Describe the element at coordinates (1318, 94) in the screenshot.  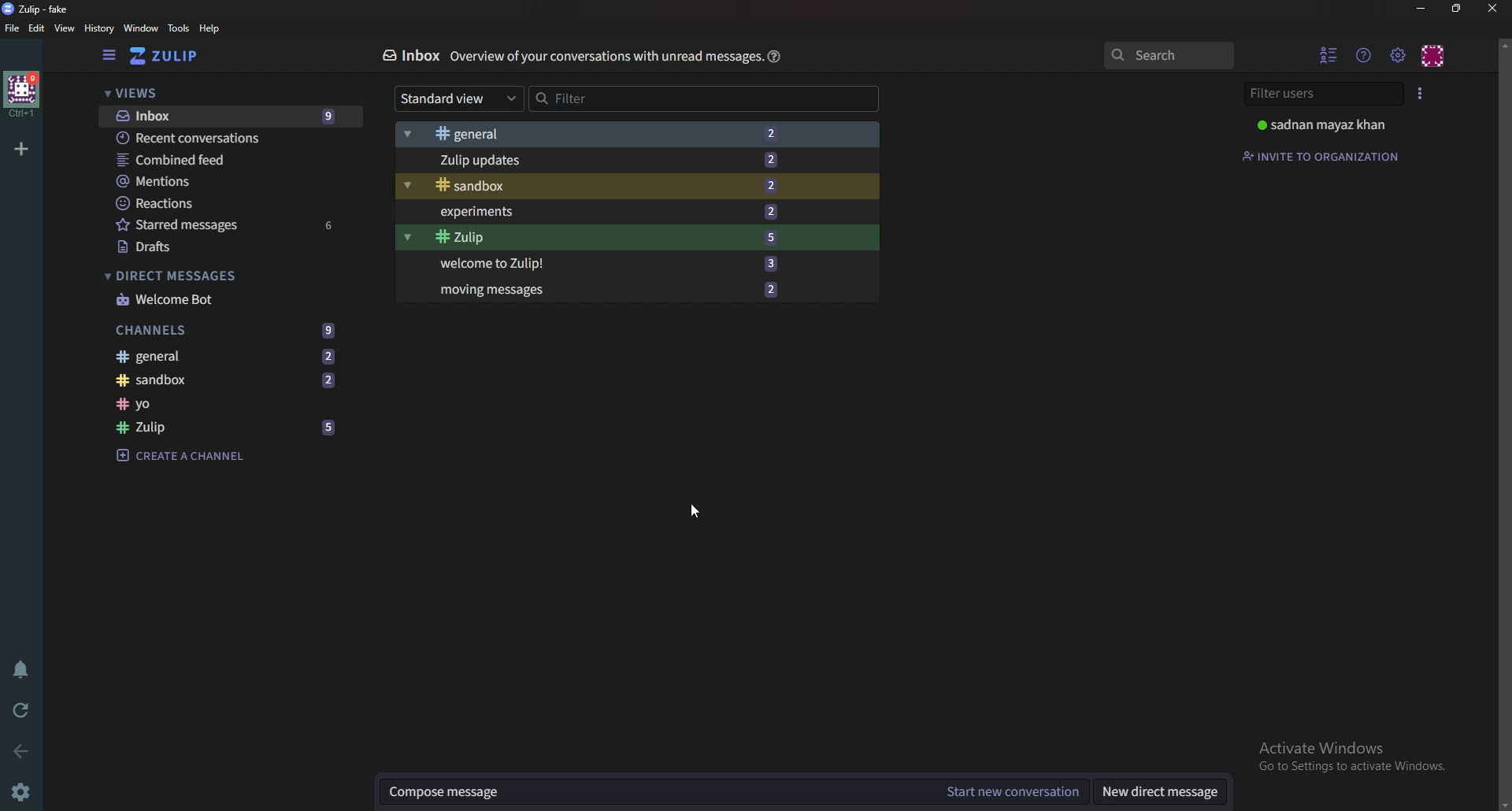
I see `Filter users` at that location.